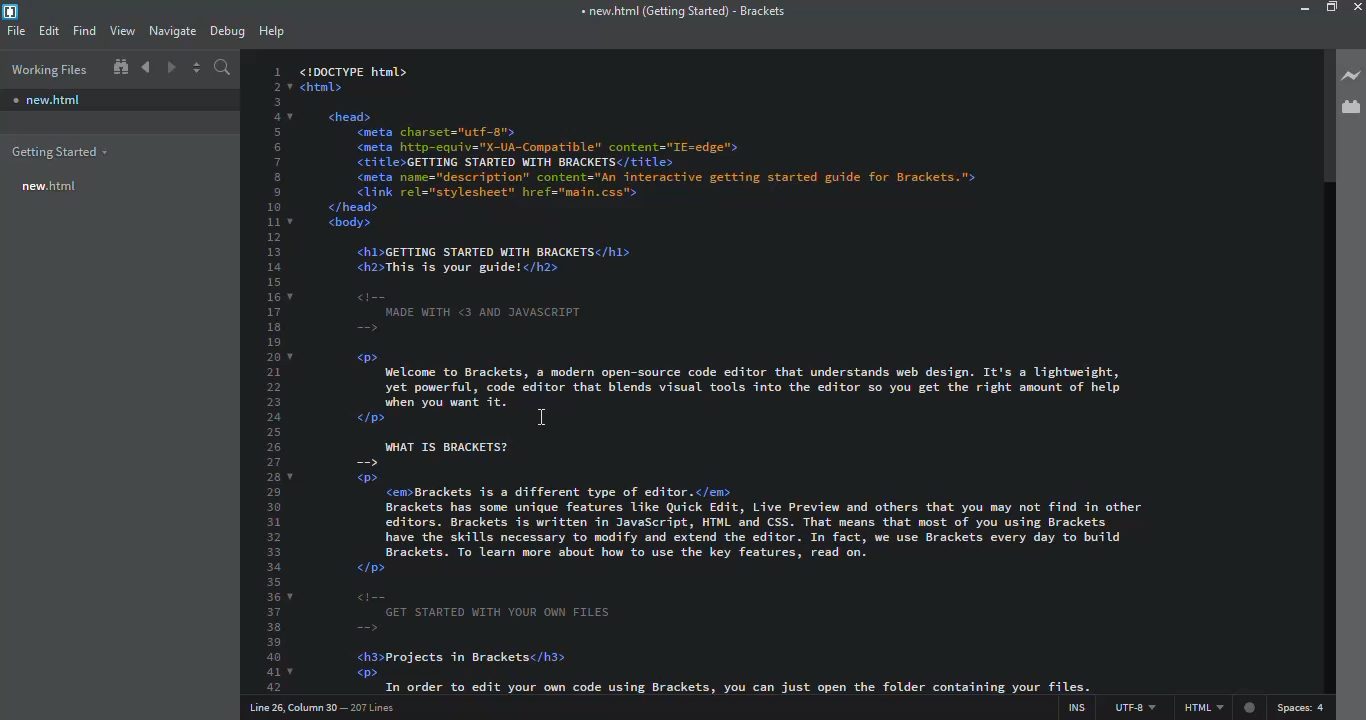 This screenshot has width=1366, height=720. Describe the element at coordinates (328, 706) in the screenshot. I see `line` at that location.